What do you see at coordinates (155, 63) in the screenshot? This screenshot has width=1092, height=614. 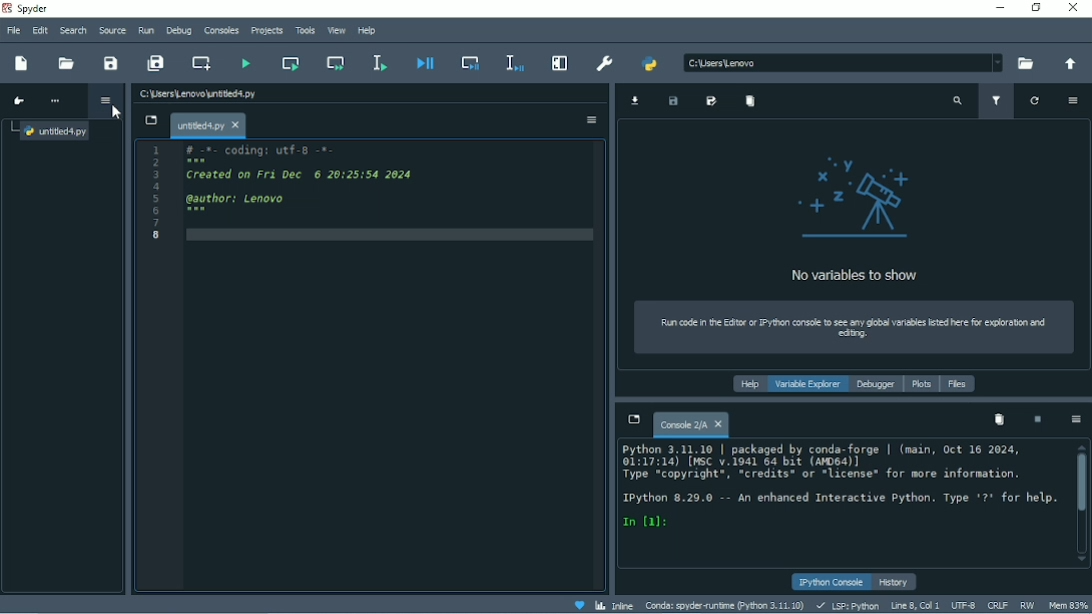 I see `Save all files` at bounding box center [155, 63].